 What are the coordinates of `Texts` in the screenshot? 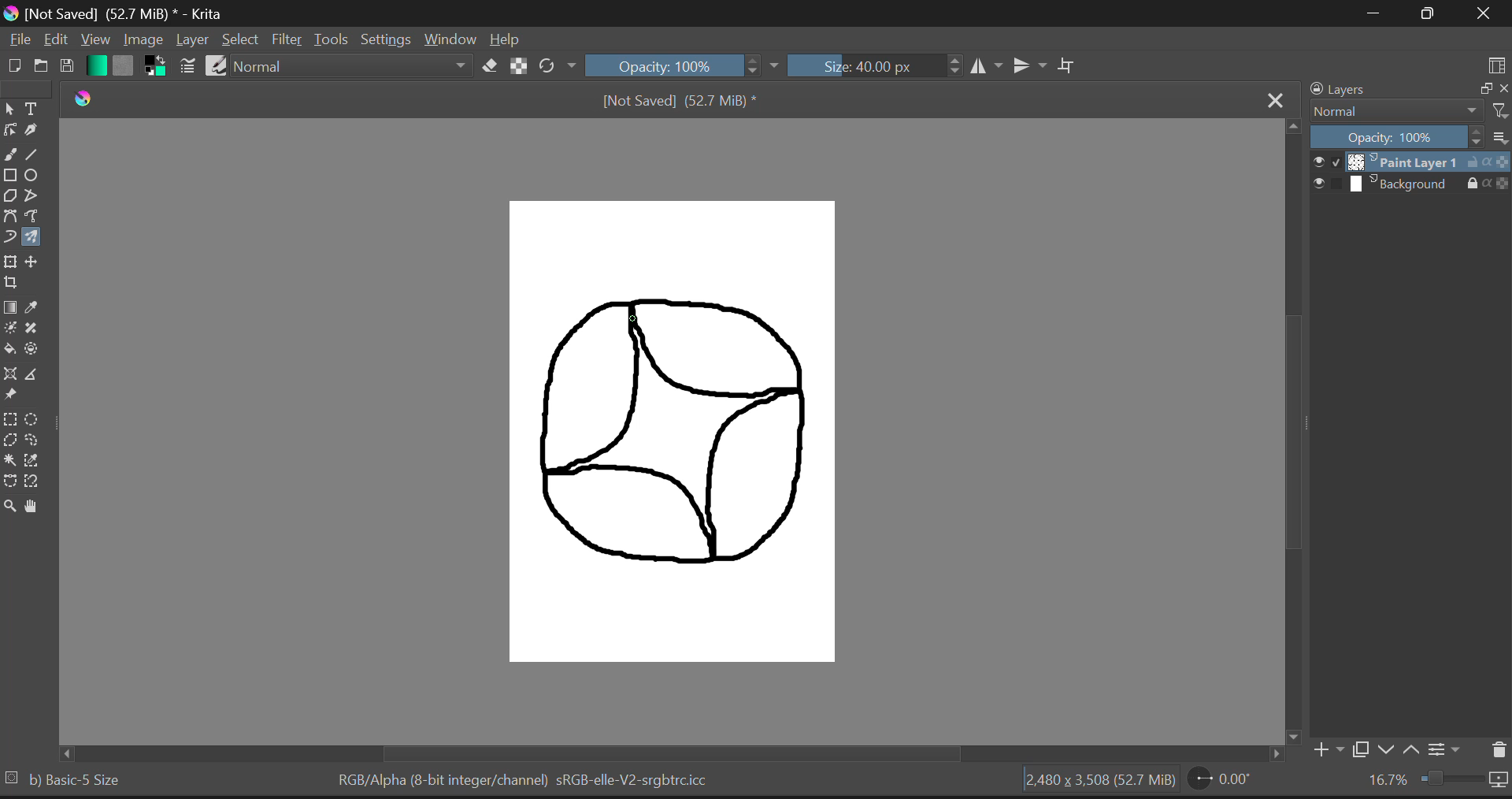 It's located at (32, 107).